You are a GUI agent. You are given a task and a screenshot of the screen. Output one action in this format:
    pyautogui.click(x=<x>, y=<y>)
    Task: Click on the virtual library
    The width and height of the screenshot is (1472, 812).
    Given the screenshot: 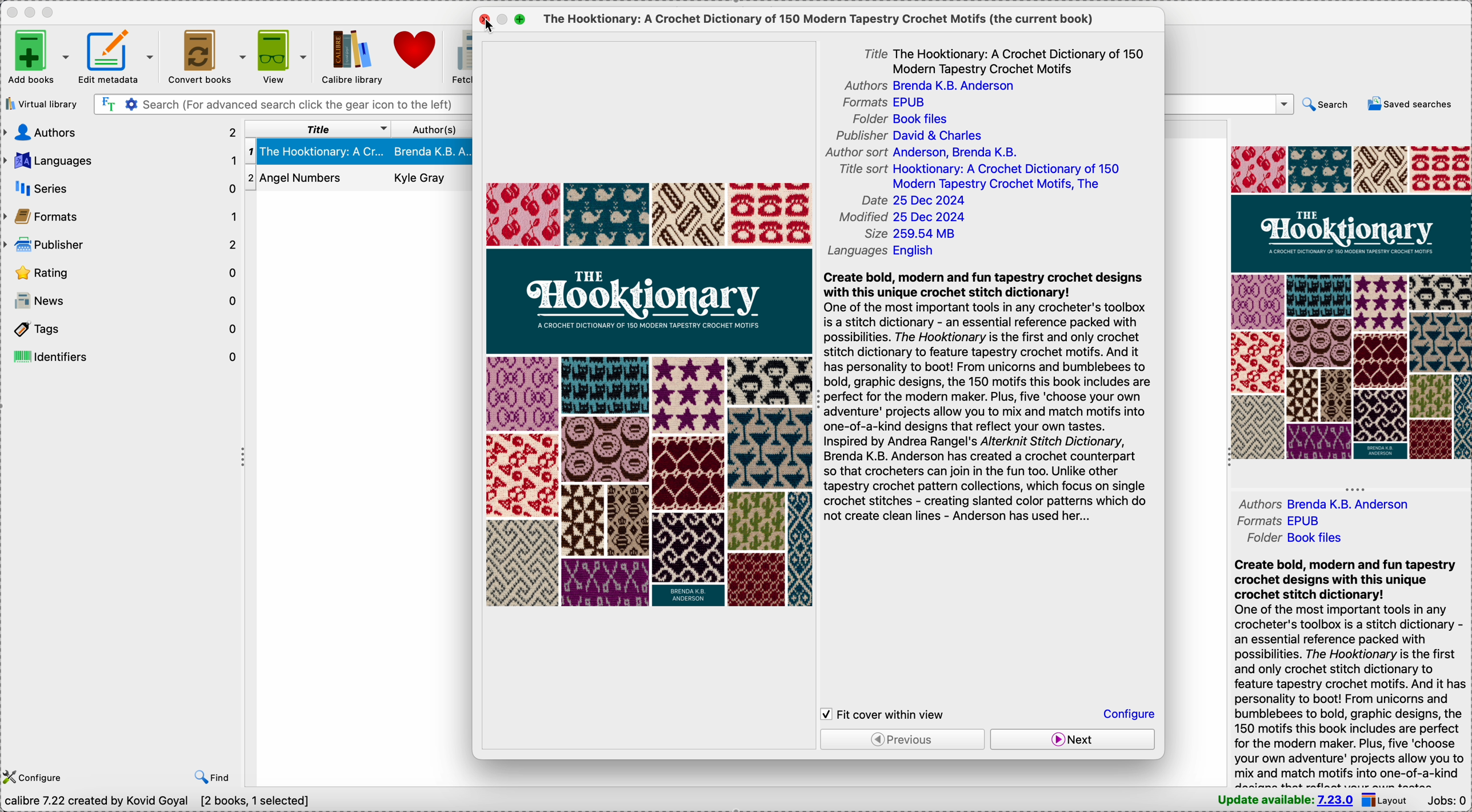 What is the action you would take?
    pyautogui.click(x=41, y=103)
    